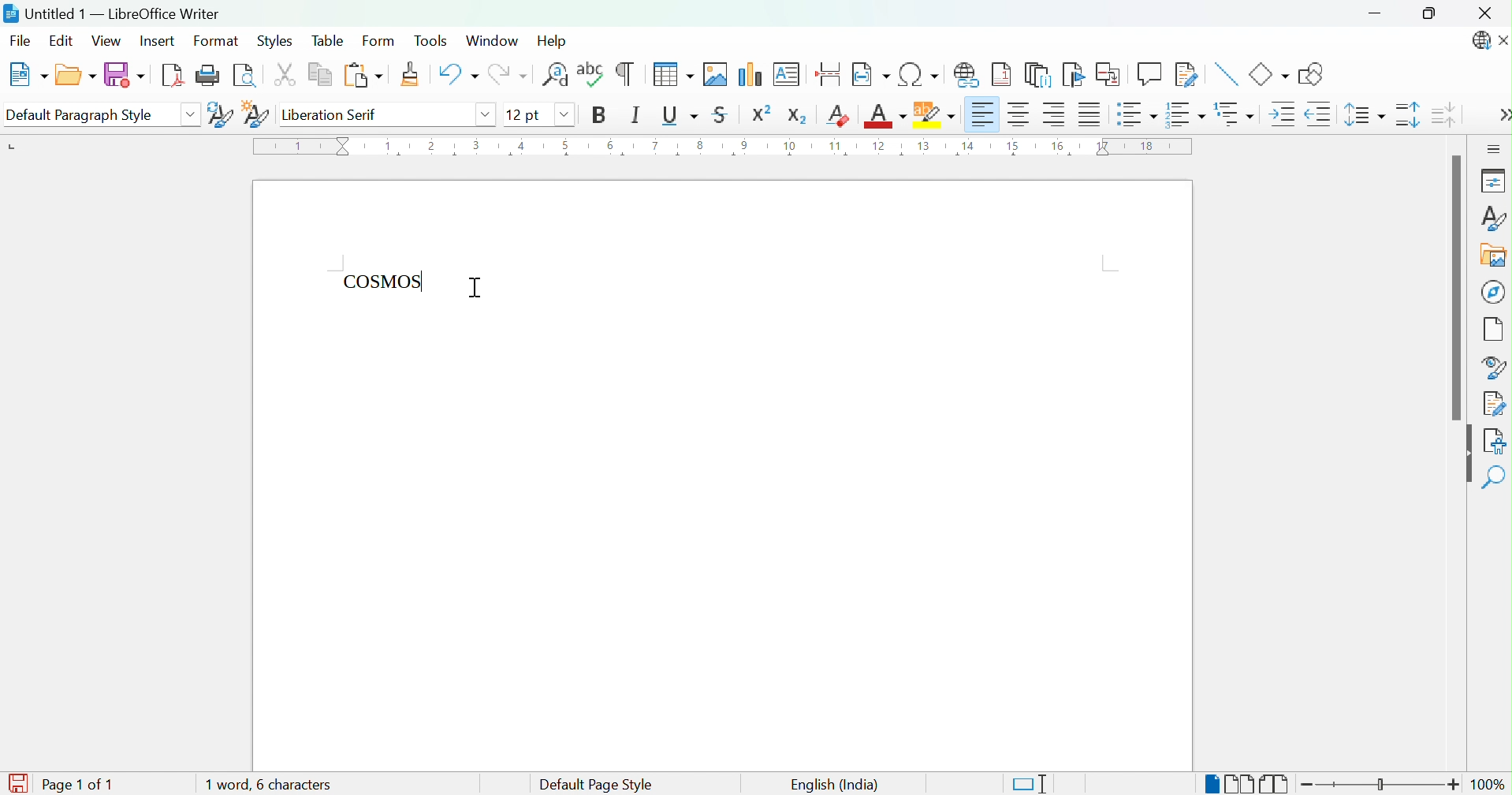  Describe the element at coordinates (85, 114) in the screenshot. I see `Default Paragraph Style` at that location.